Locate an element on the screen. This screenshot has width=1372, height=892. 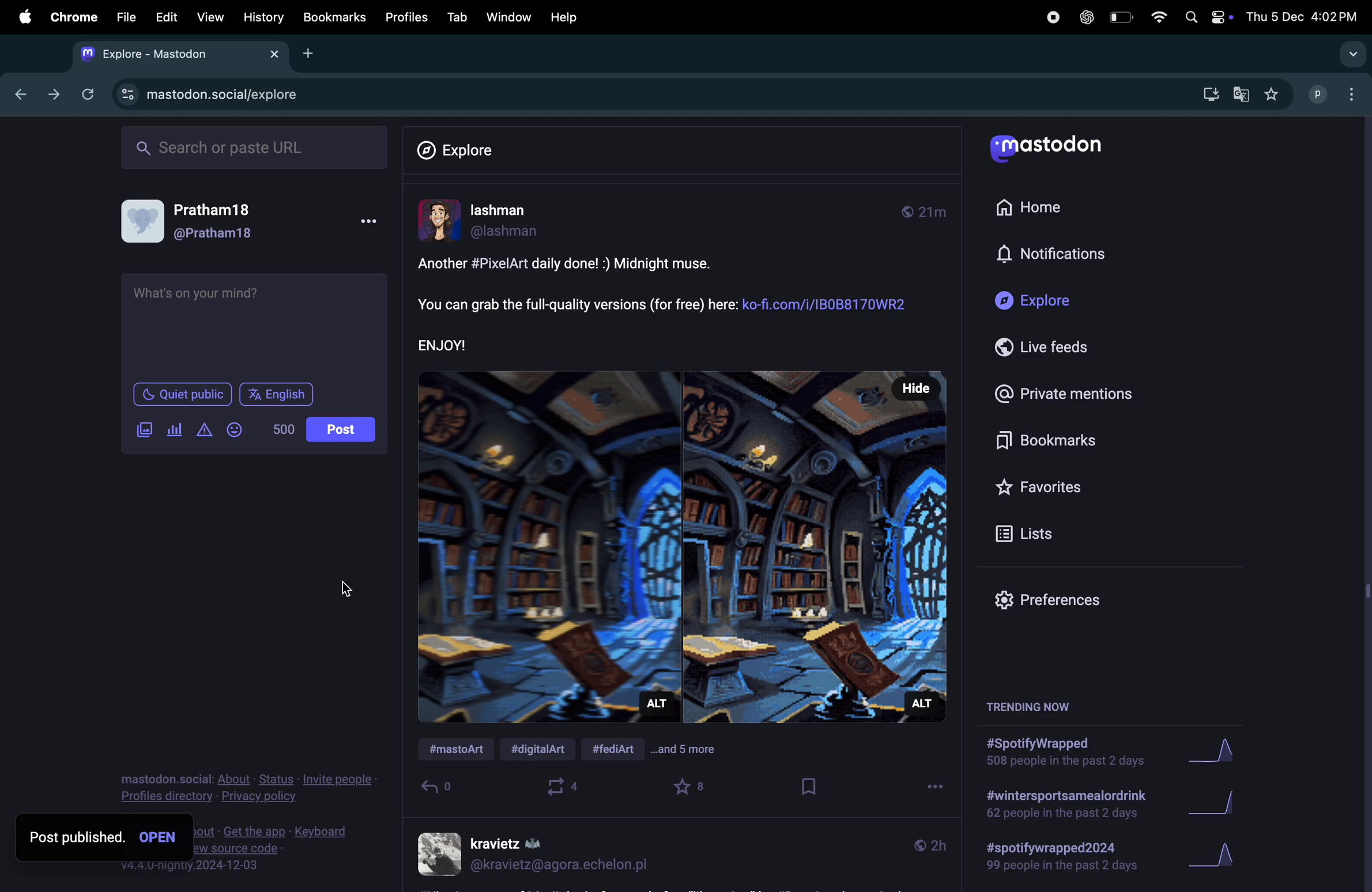
refresh is located at coordinates (89, 95).